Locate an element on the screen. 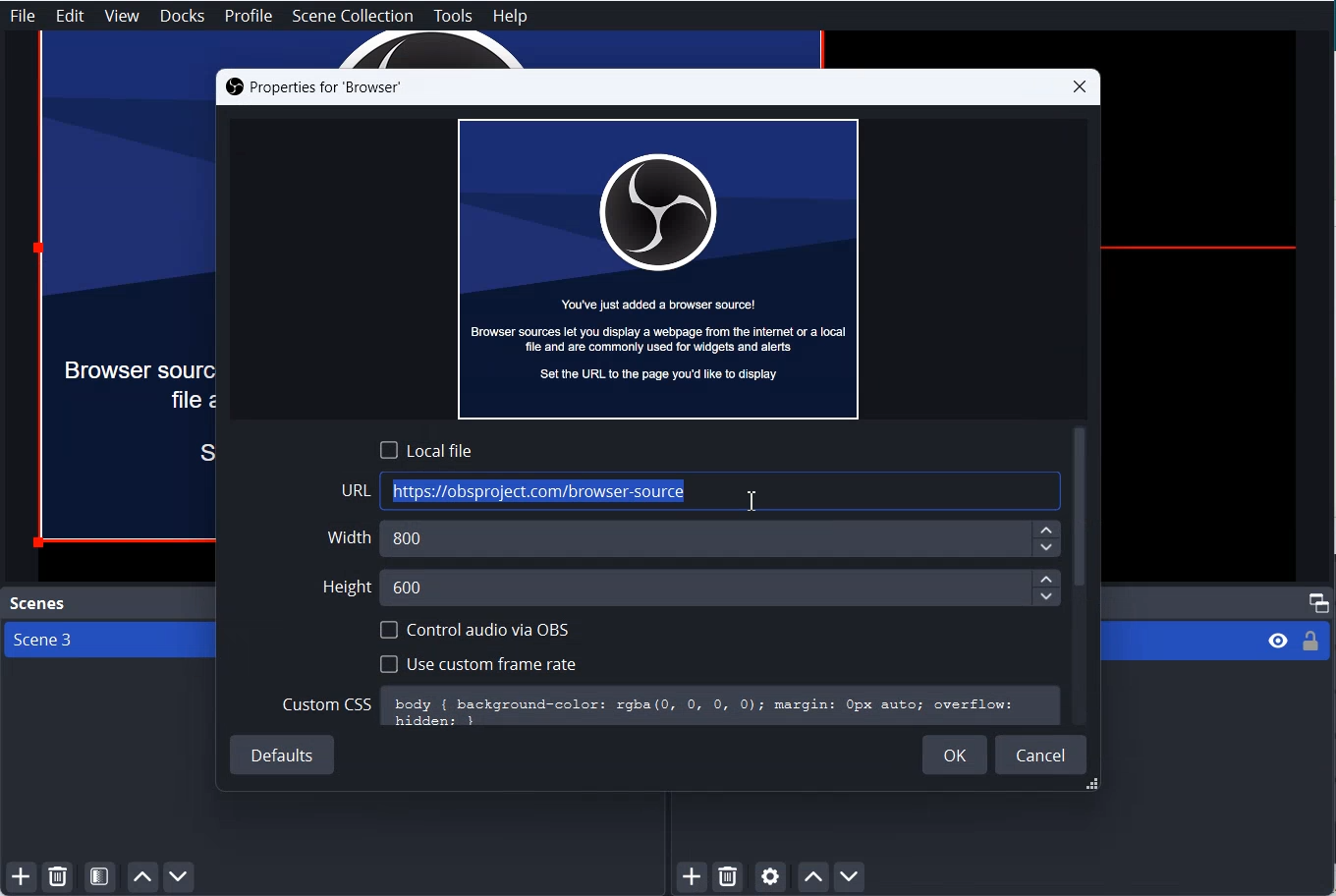 The image size is (1336, 896). File width drag handle is located at coordinates (1094, 786).